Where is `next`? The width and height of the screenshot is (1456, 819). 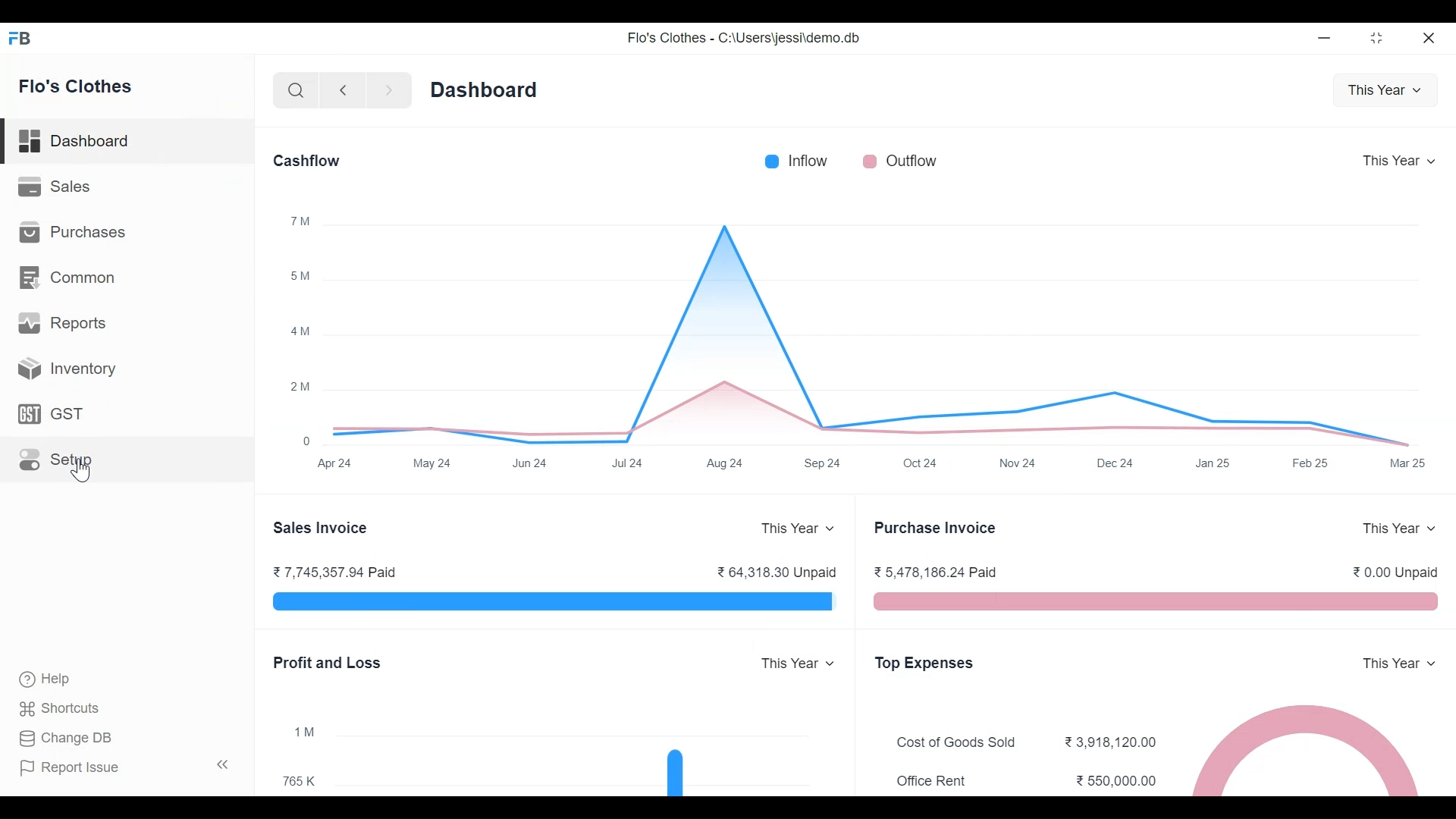
next is located at coordinates (391, 93).